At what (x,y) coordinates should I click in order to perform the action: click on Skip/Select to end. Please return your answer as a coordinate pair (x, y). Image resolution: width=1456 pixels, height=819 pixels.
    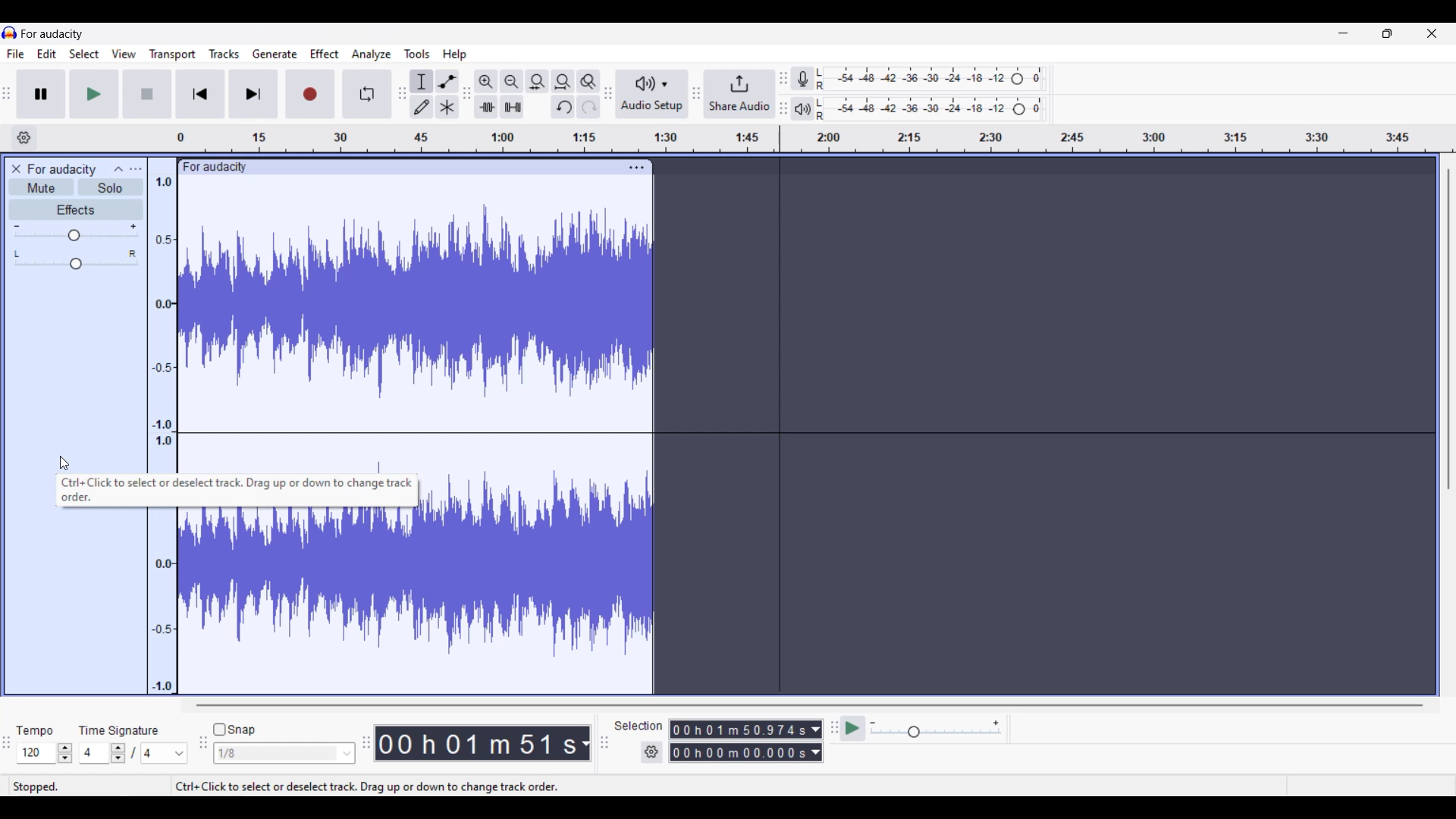
    Looking at the image, I should click on (255, 94).